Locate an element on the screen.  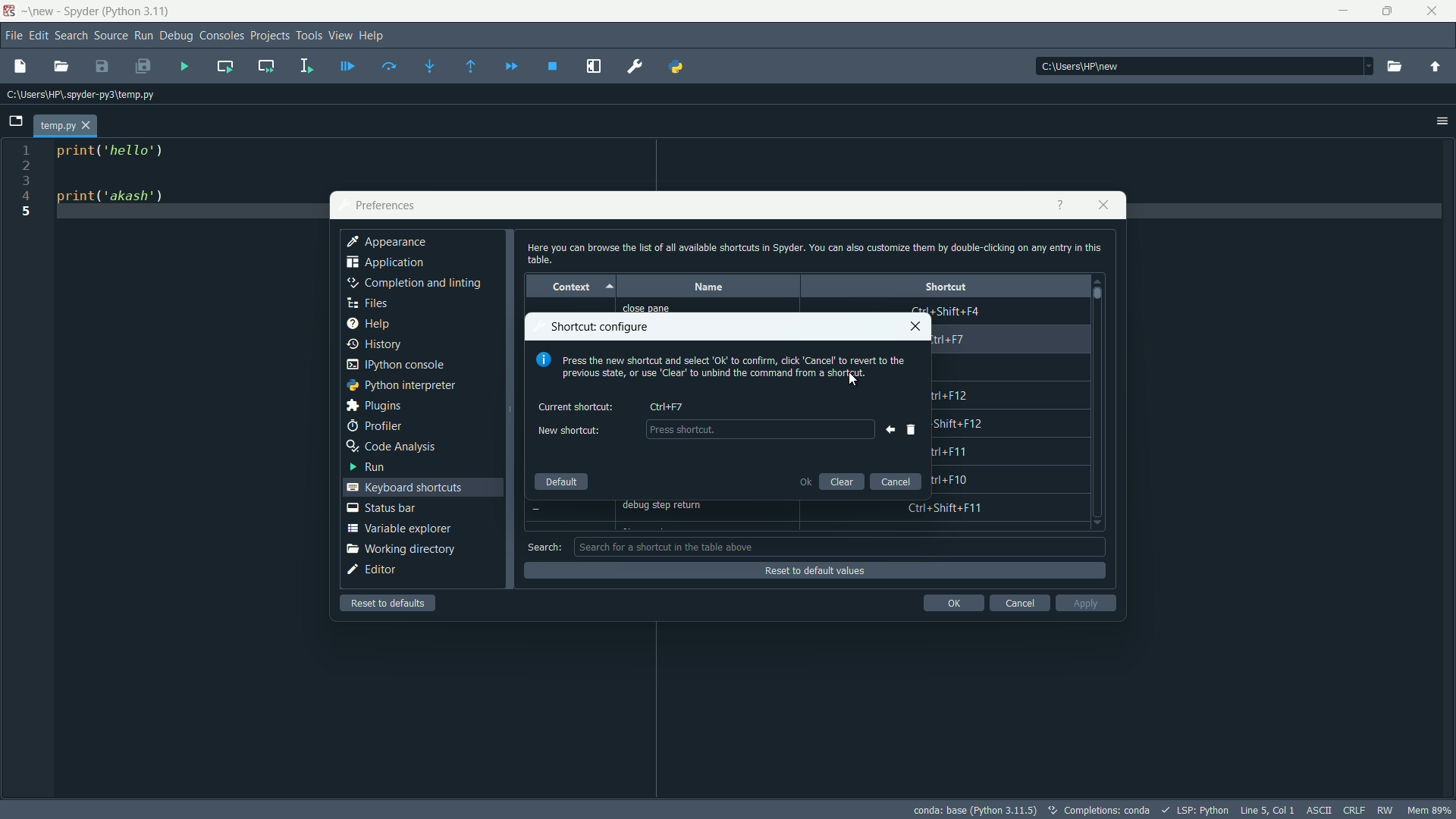
search bar is located at coordinates (840, 546).